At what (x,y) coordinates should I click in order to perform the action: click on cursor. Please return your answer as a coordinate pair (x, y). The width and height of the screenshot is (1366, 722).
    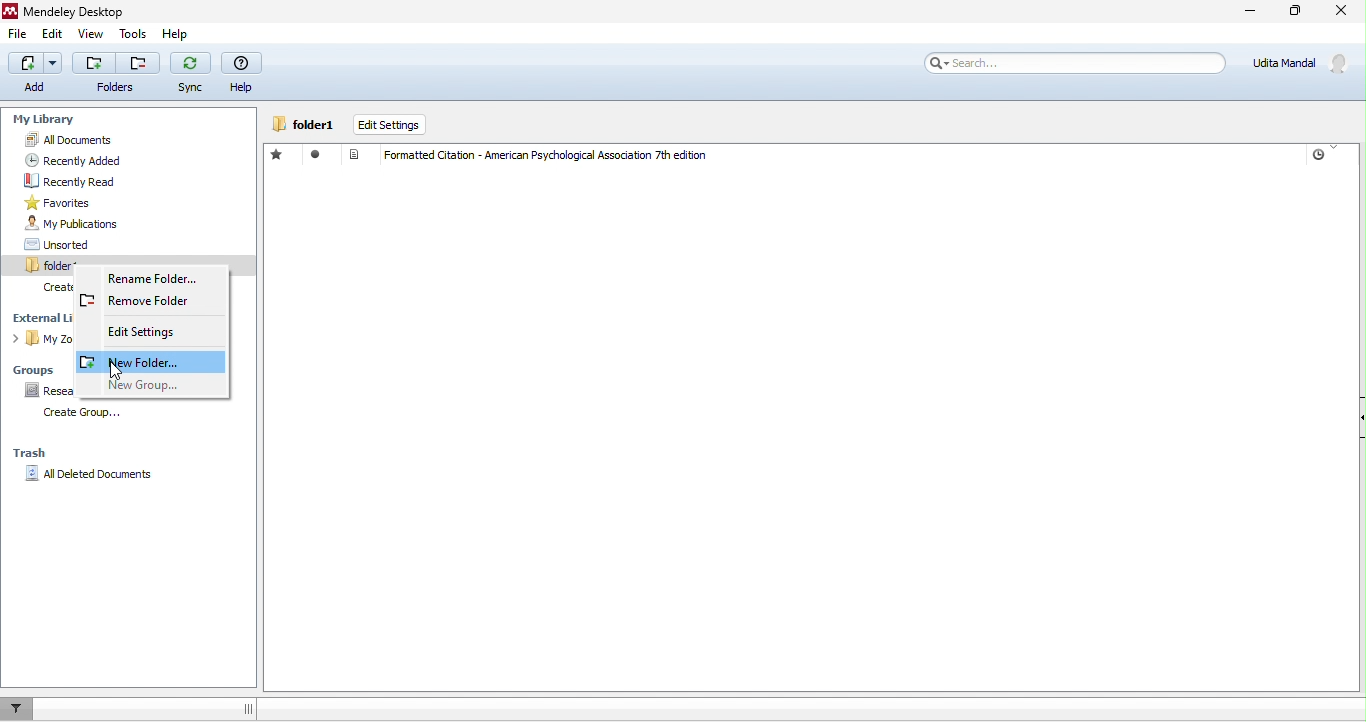
    Looking at the image, I should click on (116, 371).